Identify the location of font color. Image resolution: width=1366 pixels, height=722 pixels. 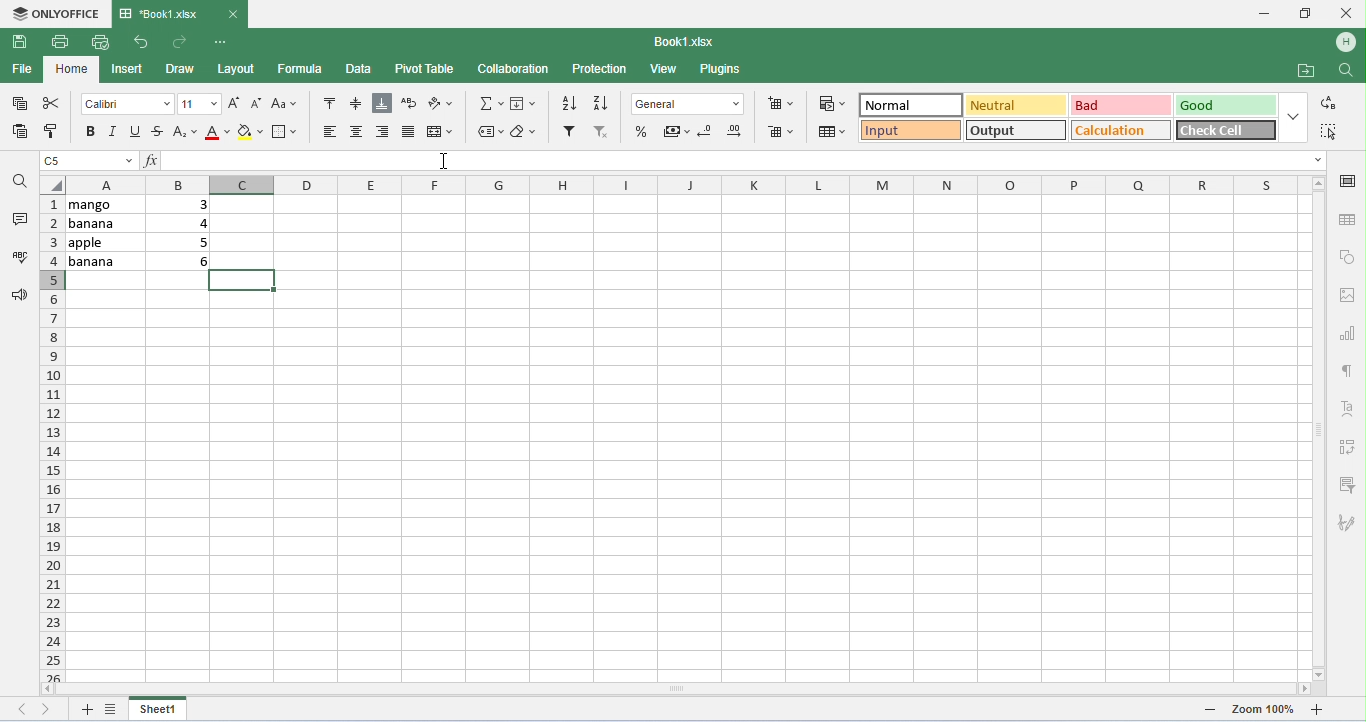
(215, 133).